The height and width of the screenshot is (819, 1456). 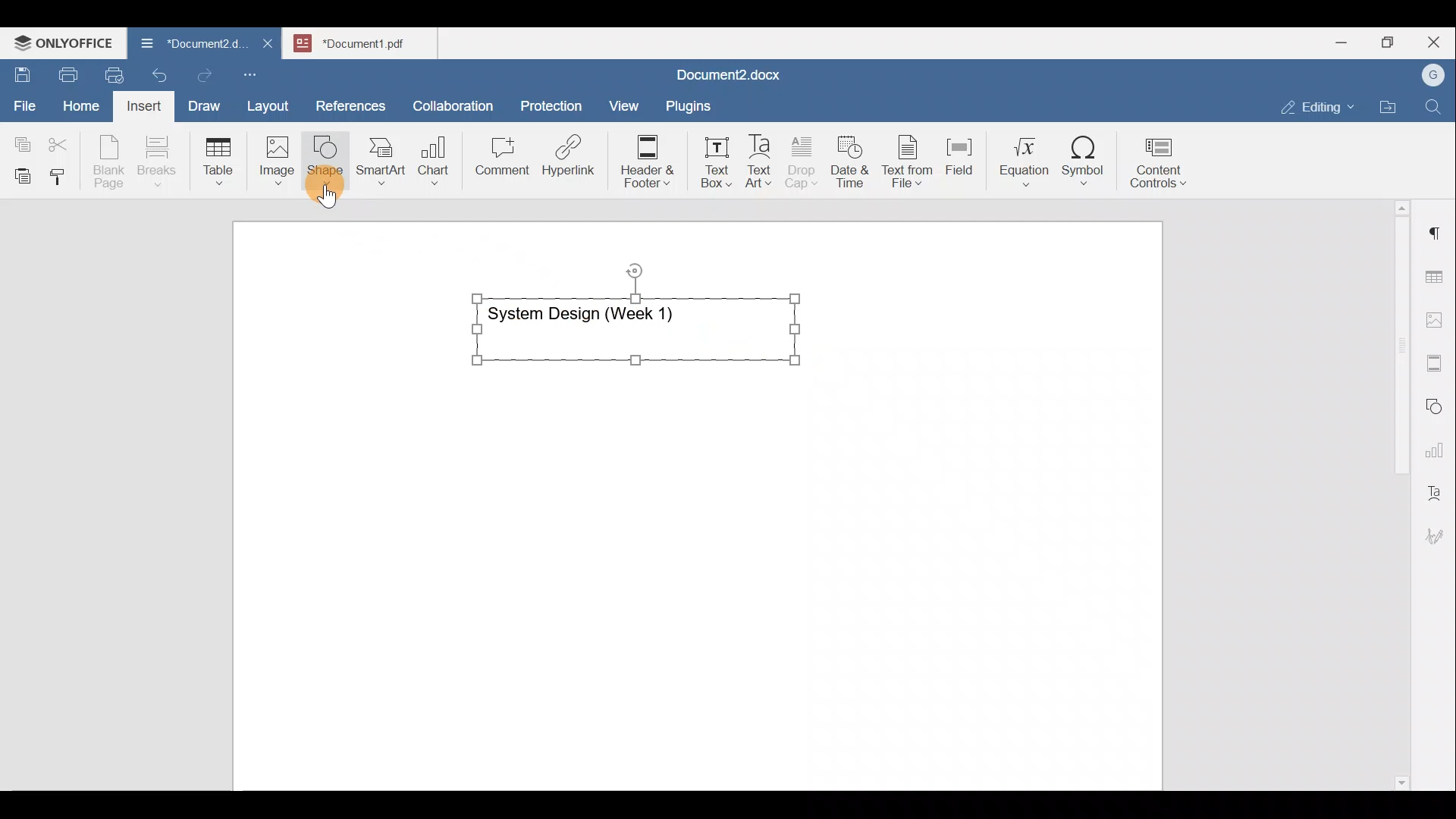 I want to click on Document name, so click(x=185, y=45).